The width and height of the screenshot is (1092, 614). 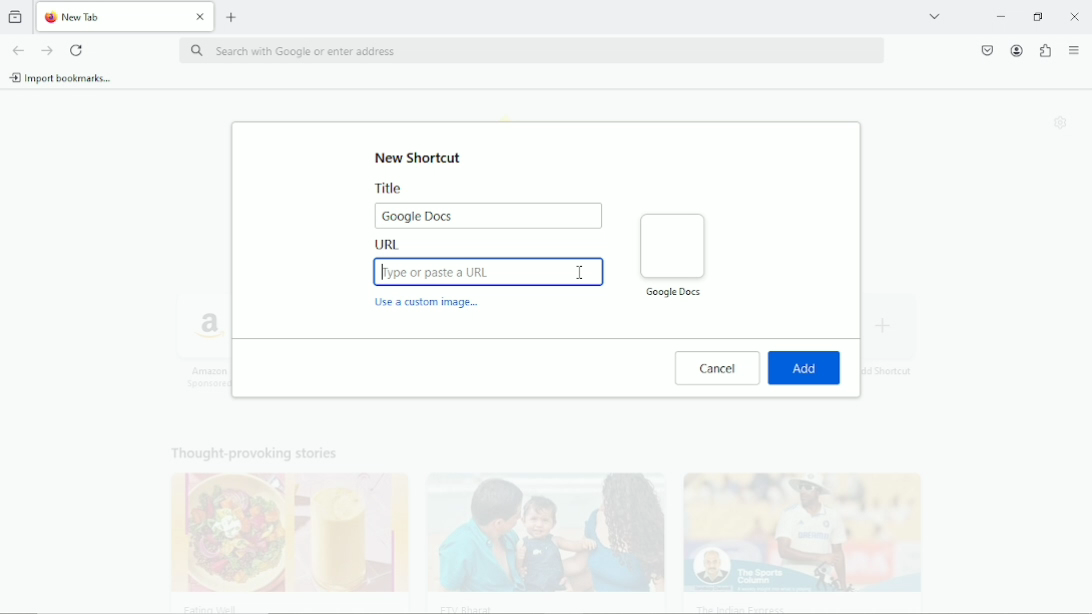 I want to click on New Tab, so click(x=110, y=17).